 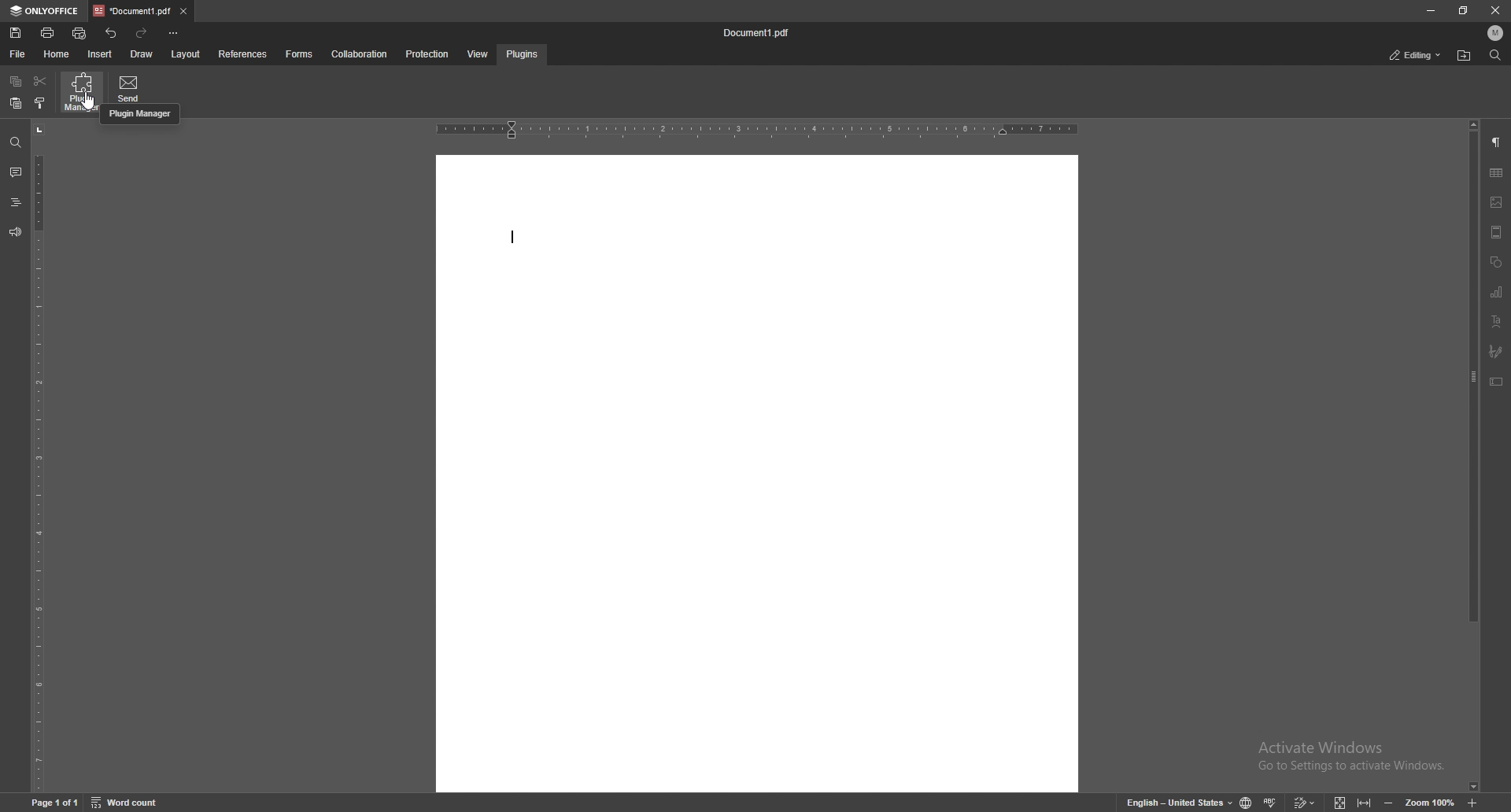 I want to click on track changes, so click(x=1306, y=802).